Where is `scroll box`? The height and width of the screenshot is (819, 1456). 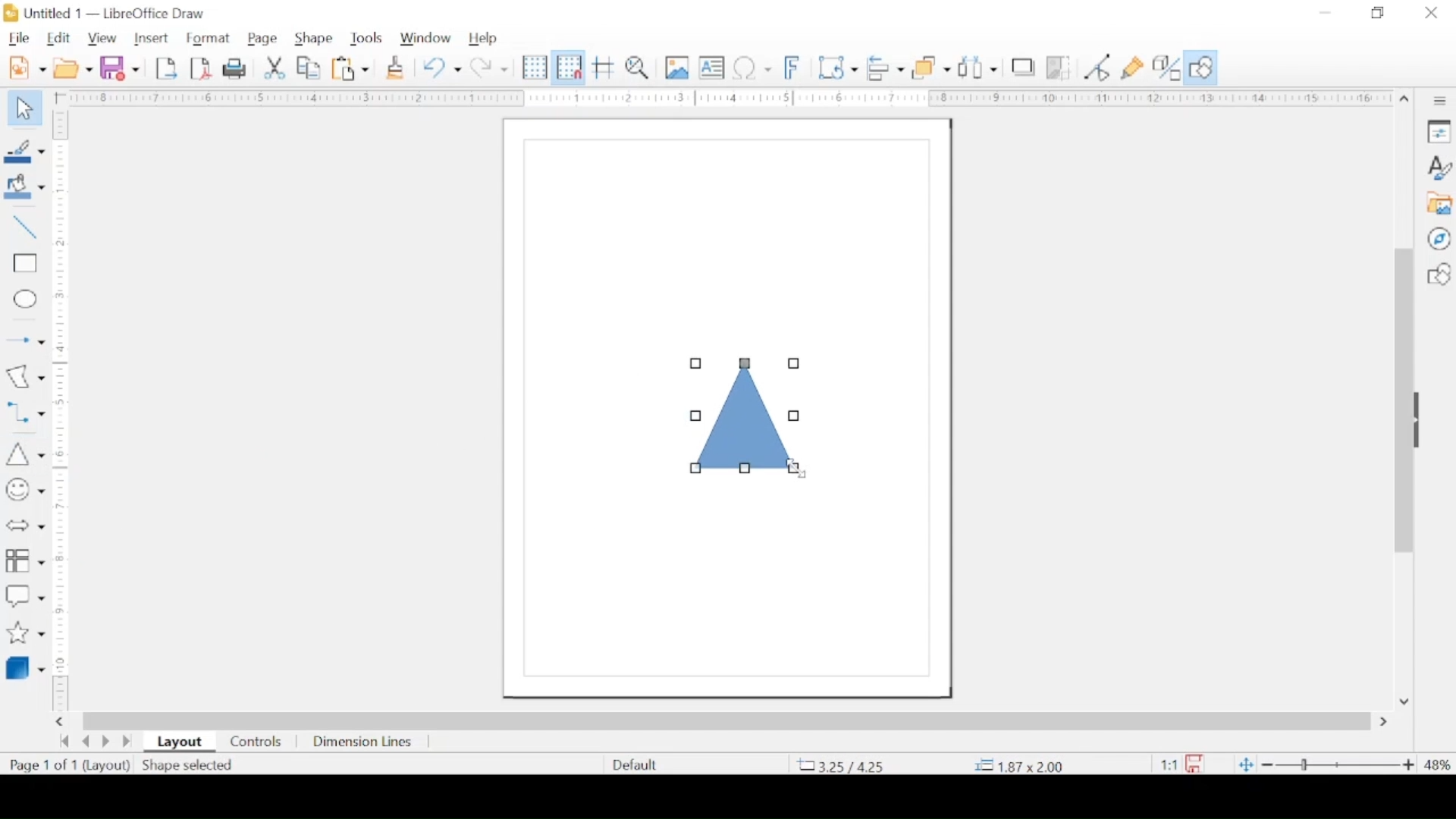
scroll box is located at coordinates (728, 719).